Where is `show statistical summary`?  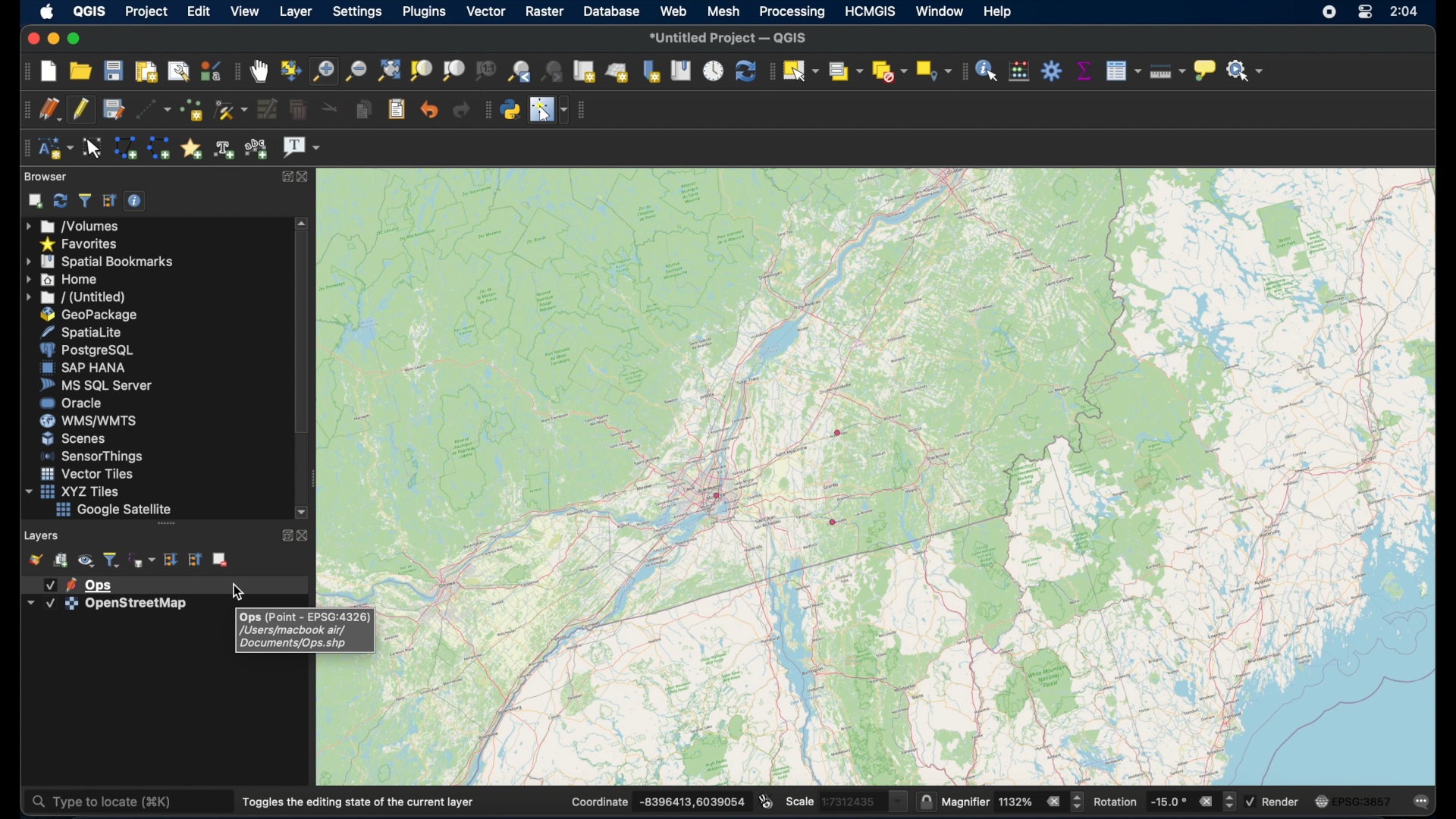
show statistical summary is located at coordinates (1084, 70).